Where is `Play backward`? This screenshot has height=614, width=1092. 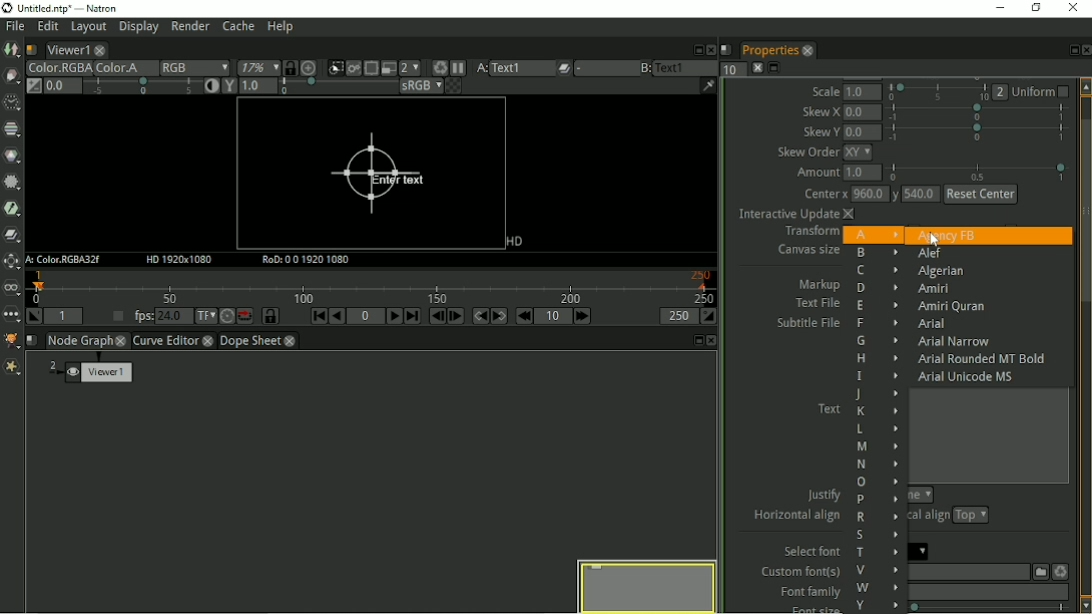 Play backward is located at coordinates (337, 316).